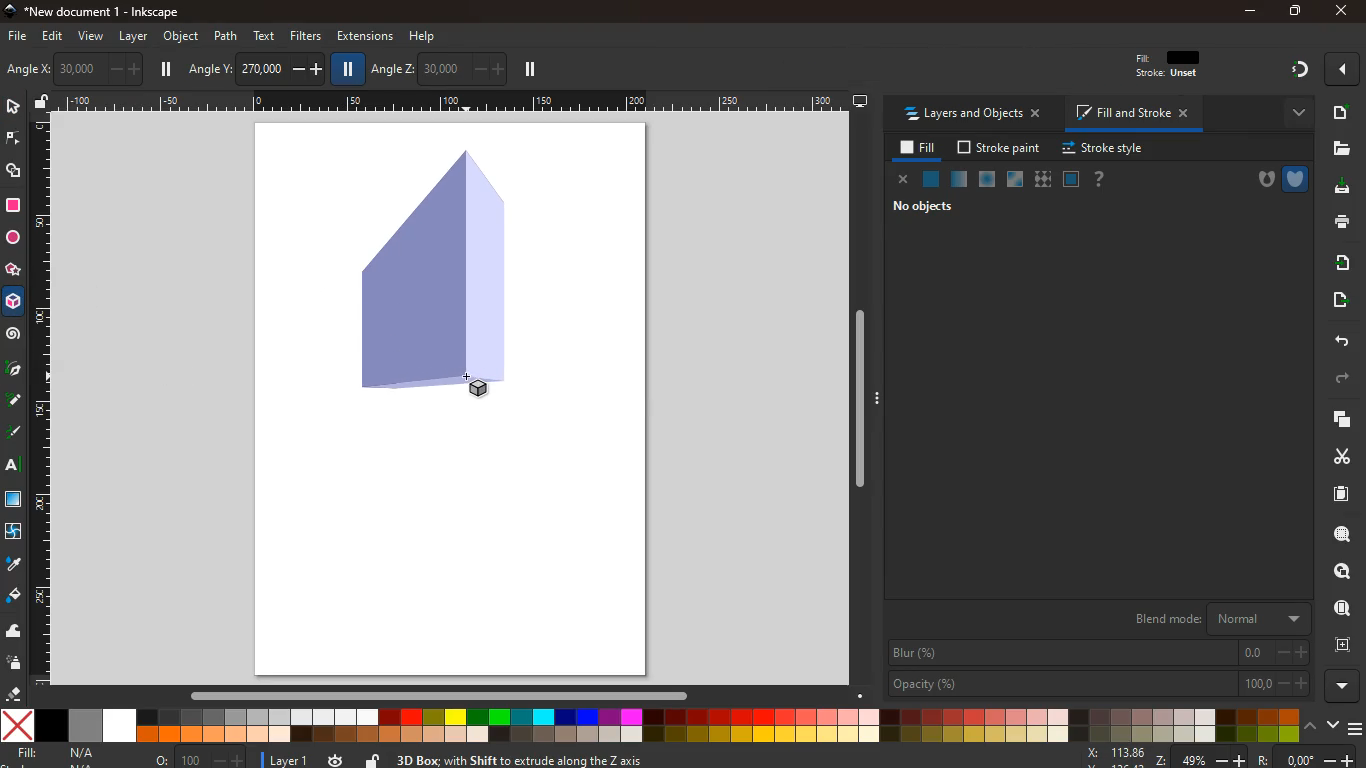 This screenshot has height=768, width=1366. What do you see at coordinates (429, 273) in the screenshot?
I see `3d polygon` at bounding box center [429, 273].